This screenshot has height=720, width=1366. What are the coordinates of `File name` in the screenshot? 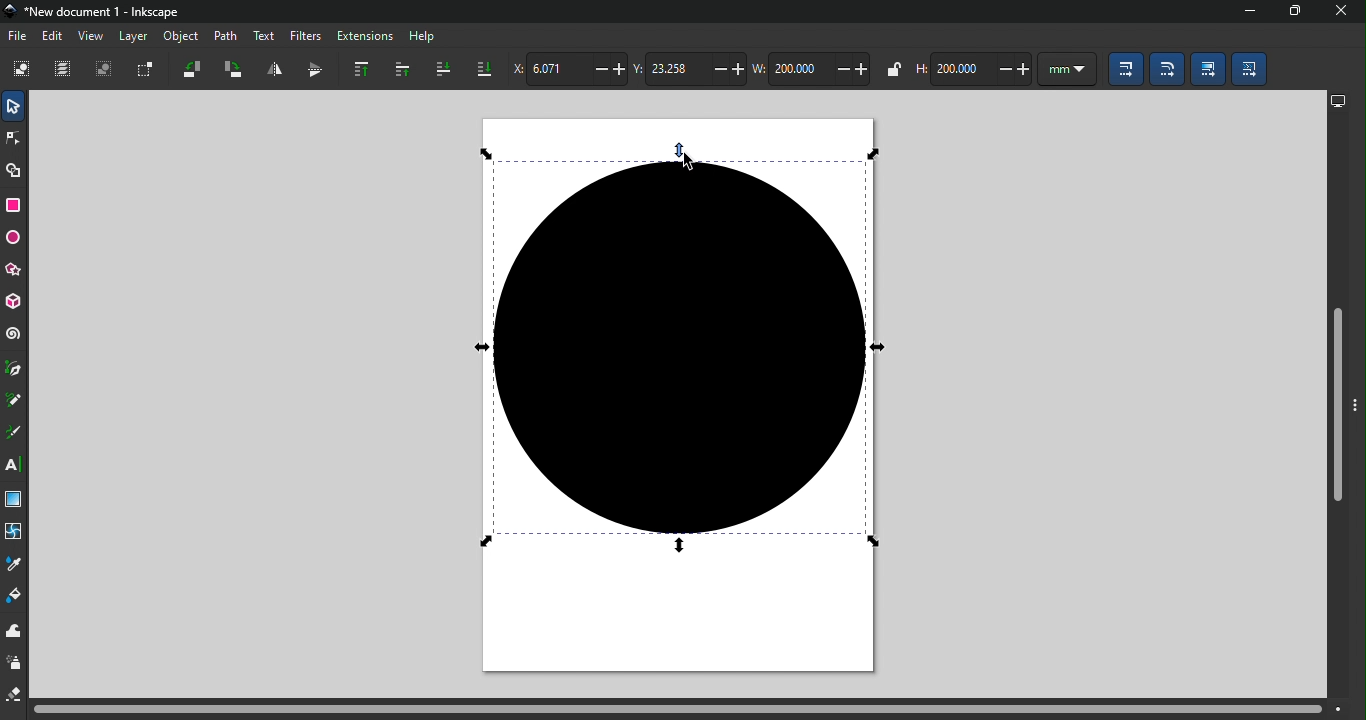 It's located at (95, 13).